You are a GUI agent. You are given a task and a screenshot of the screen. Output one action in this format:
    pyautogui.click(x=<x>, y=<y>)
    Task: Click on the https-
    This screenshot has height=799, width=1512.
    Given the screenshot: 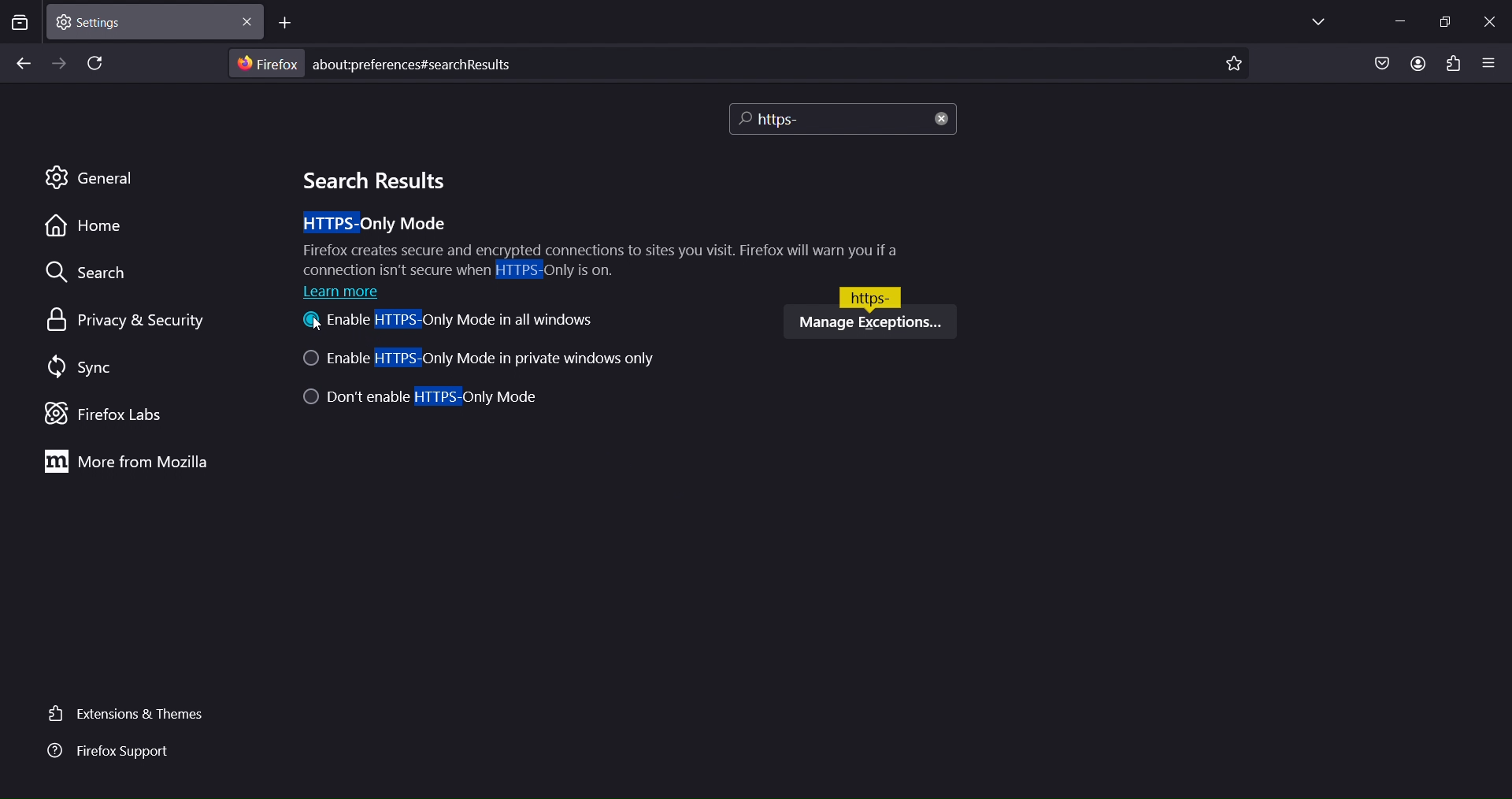 What is the action you would take?
    pyautogui.click(x=870, y=295)
    